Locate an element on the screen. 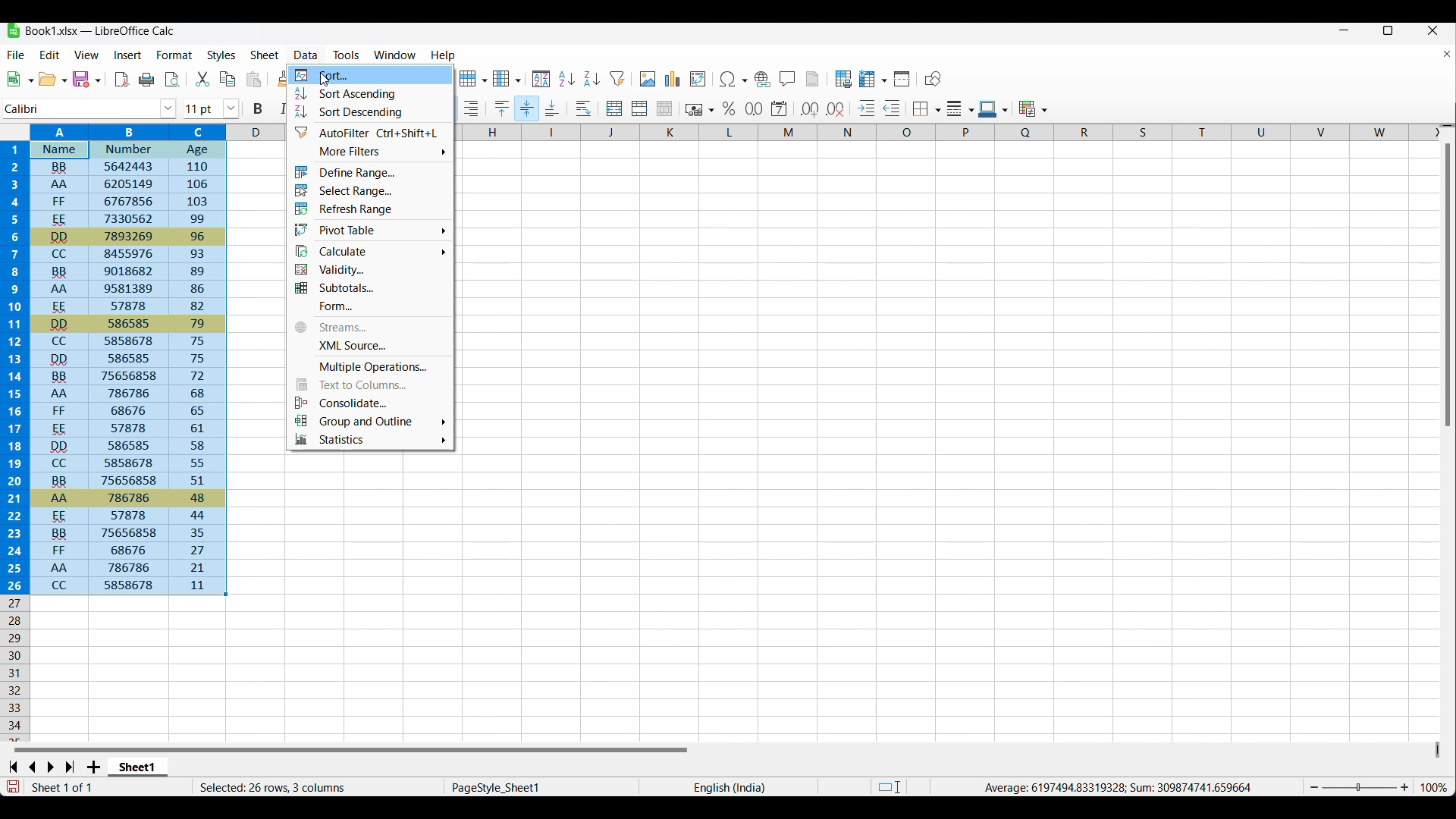 This screenshot has height=819, width=1456. Export as PDF is located at coordinates (123, 80).